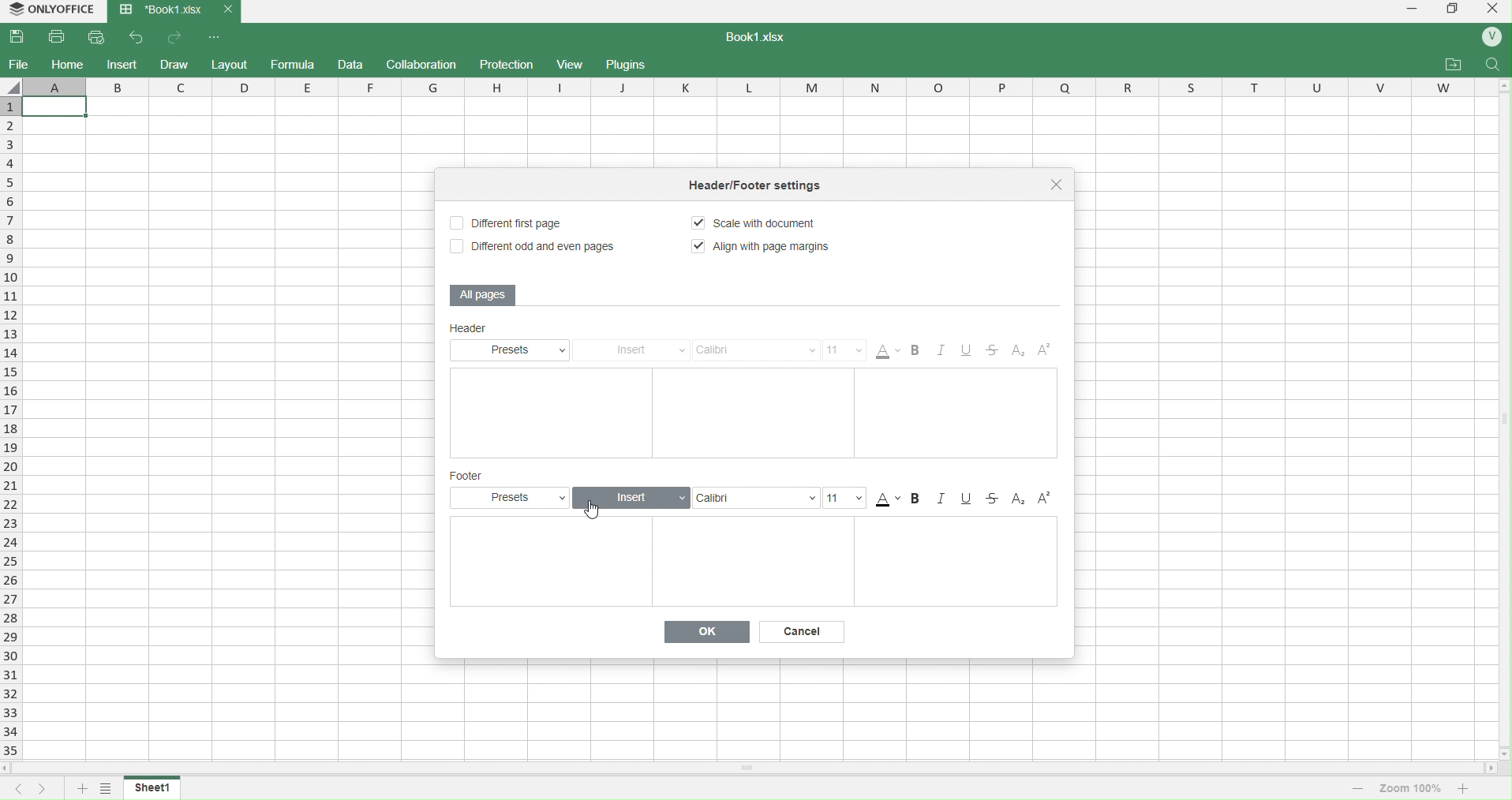 The width and height of the screenshot is (1512, 800). I want to click on Strikethrough, so click(995, 499).